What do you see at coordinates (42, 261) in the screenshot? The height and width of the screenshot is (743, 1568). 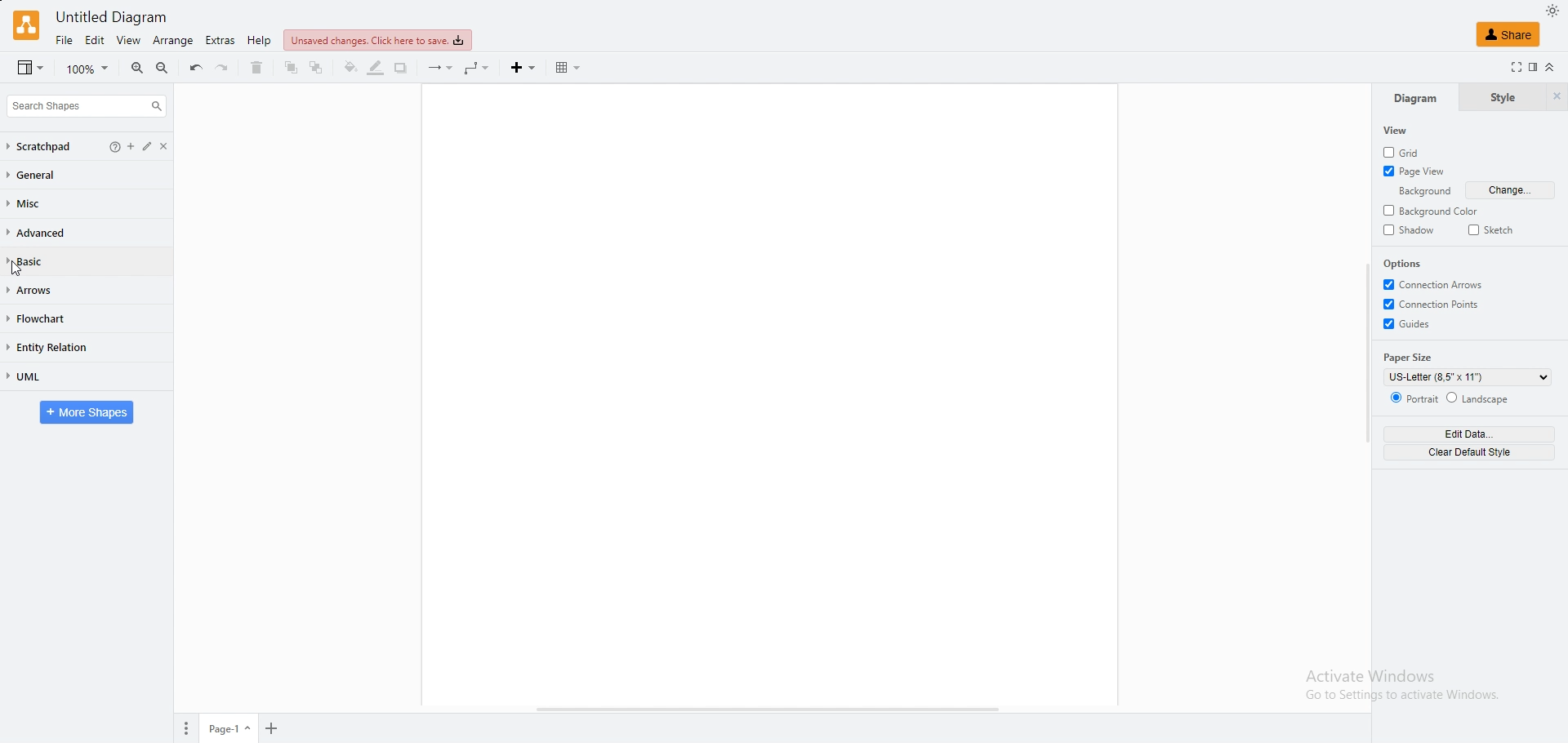 I see `basic` at bounding box center [42, 261].